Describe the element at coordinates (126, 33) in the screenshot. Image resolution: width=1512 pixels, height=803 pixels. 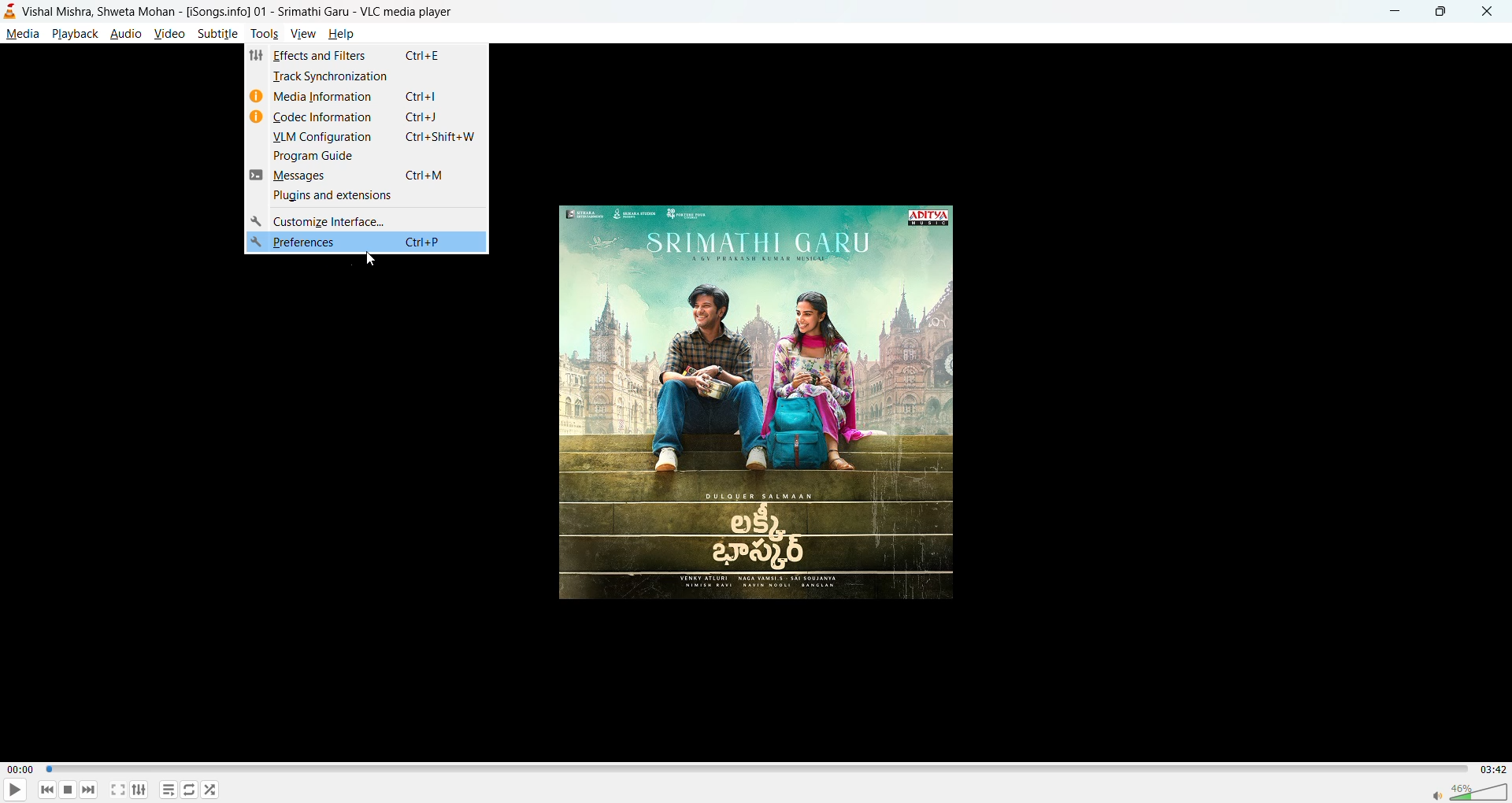
I see `audio` at that location.